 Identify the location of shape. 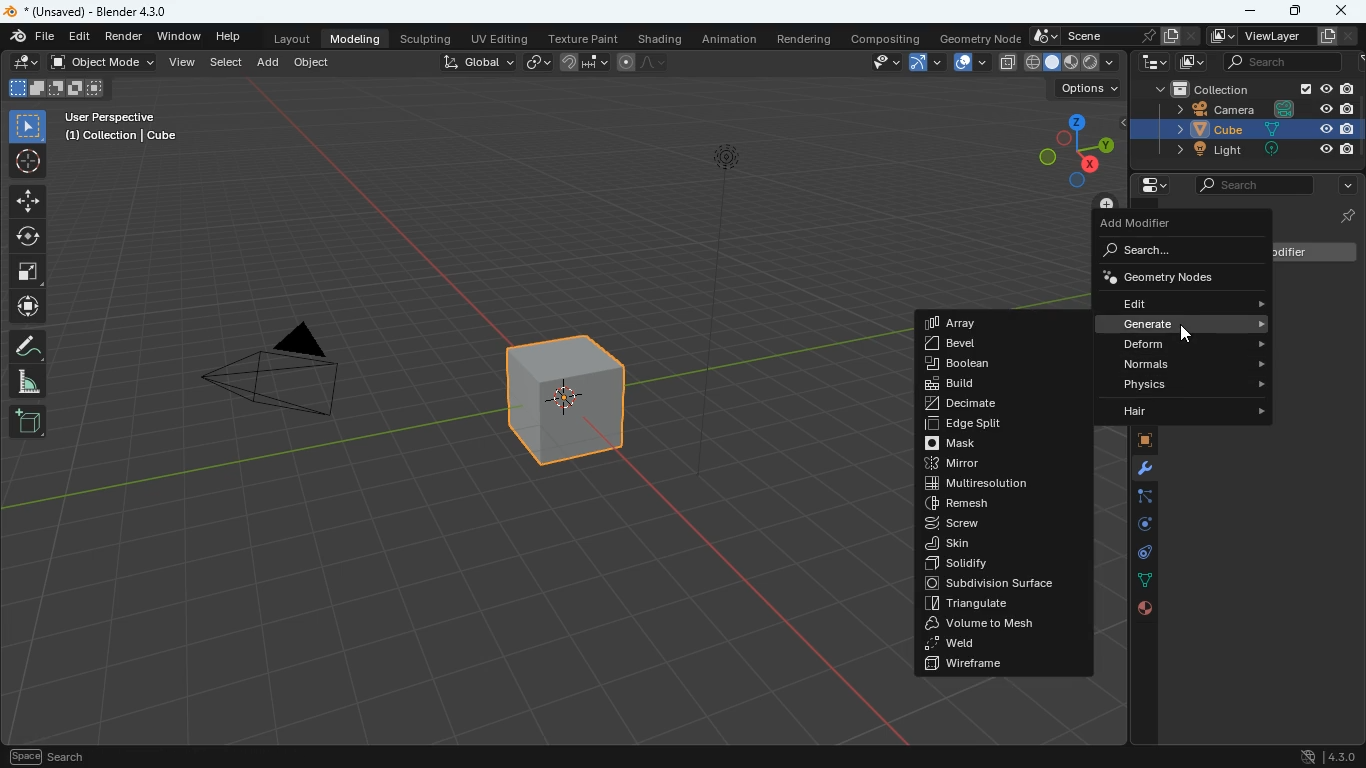
(56, 88).